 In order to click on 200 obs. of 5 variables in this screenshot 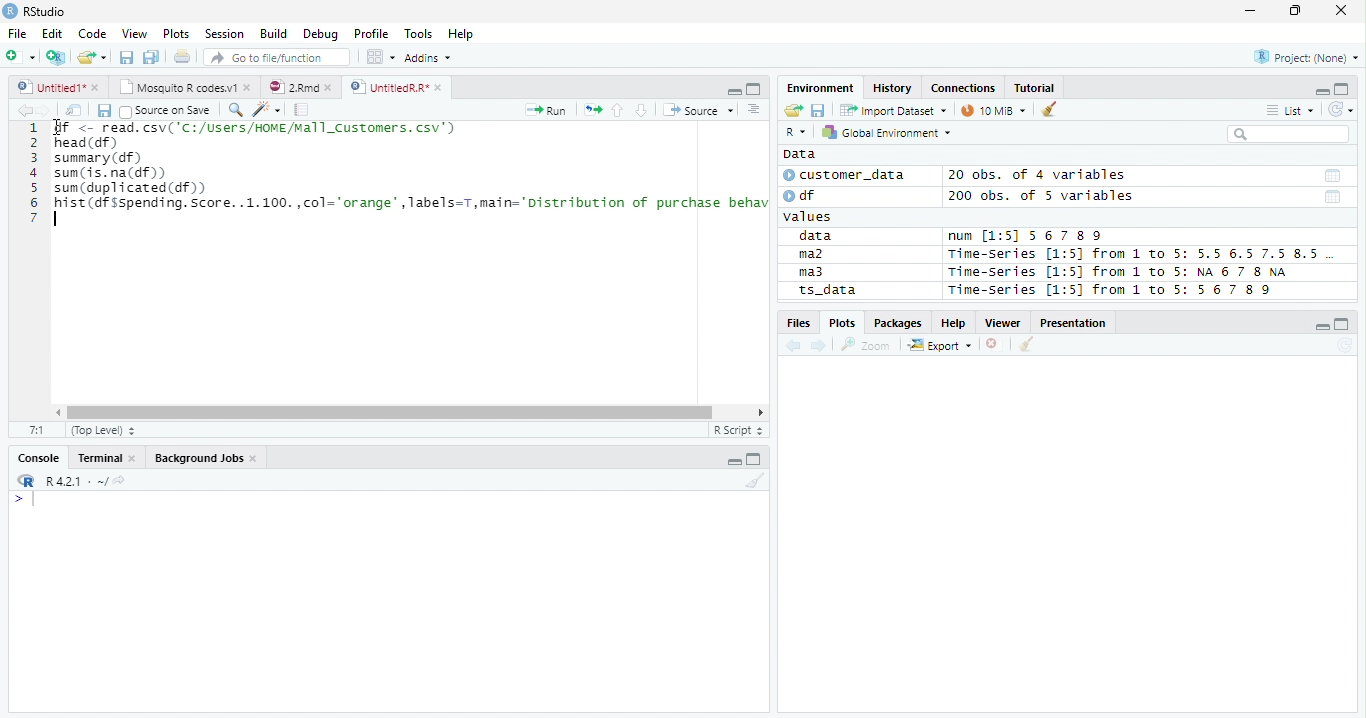, I will do `click(1038, 198)`.